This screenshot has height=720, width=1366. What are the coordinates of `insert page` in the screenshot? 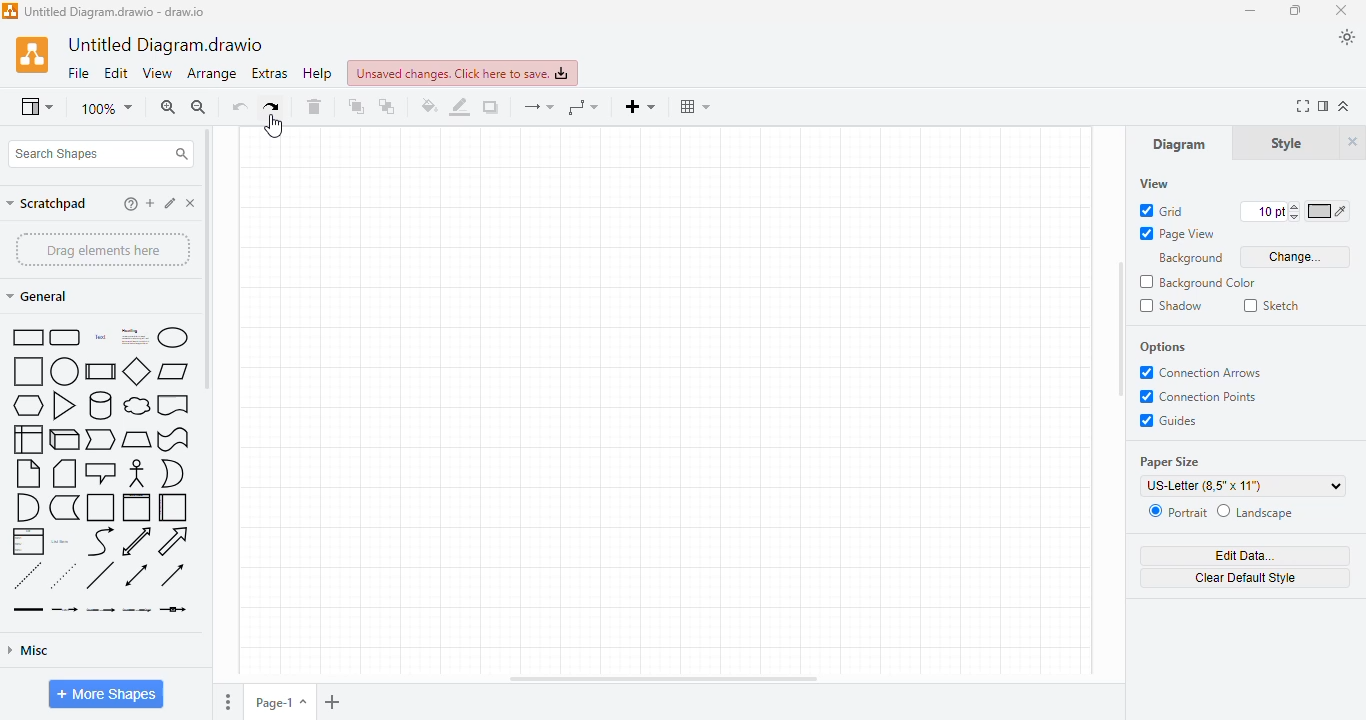 It's located at (331, 701).